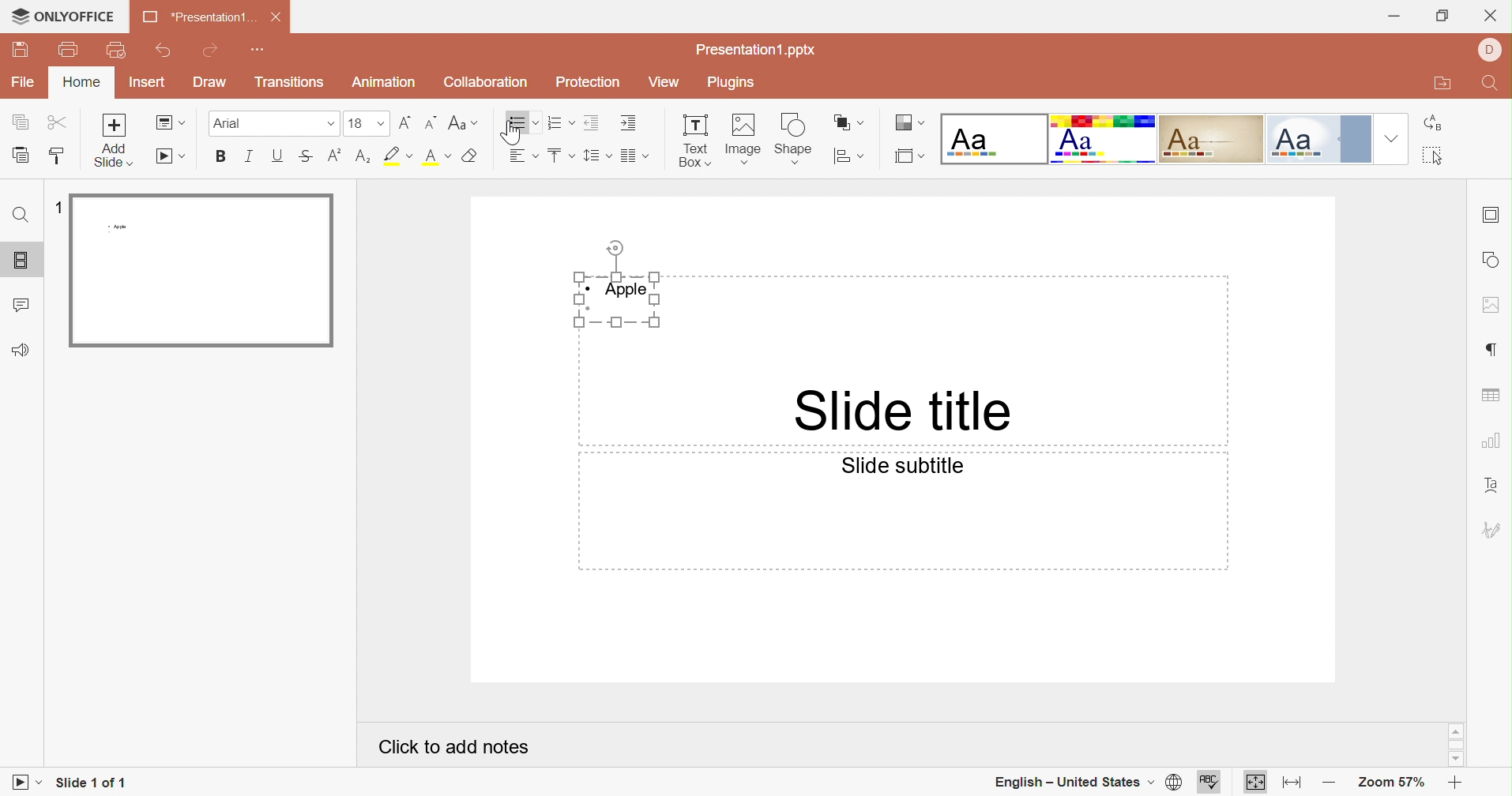 Image resolution: width=1512 pixels, height=796 pixels. Describe the element at coordinates (589, 288) in the screenshot. I see `Bullet` at that location.